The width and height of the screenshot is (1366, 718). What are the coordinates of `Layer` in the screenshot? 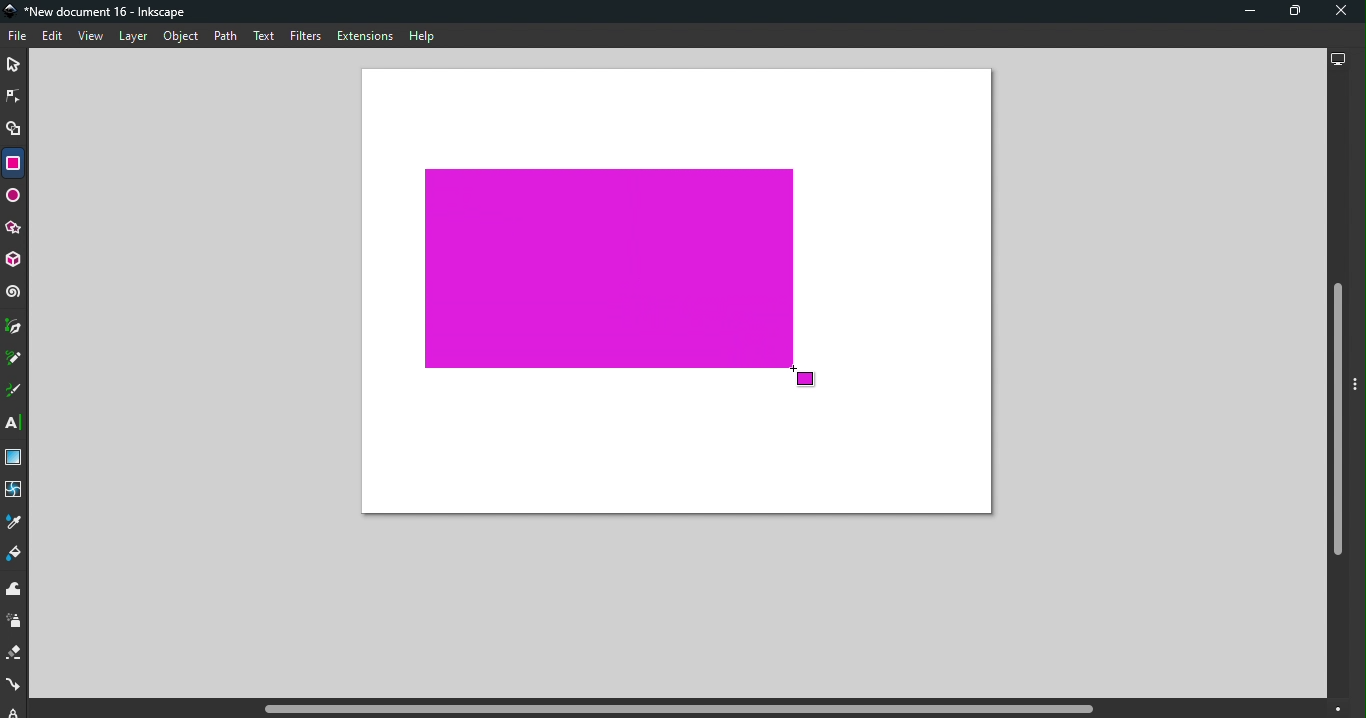 It's located at (133, 38).